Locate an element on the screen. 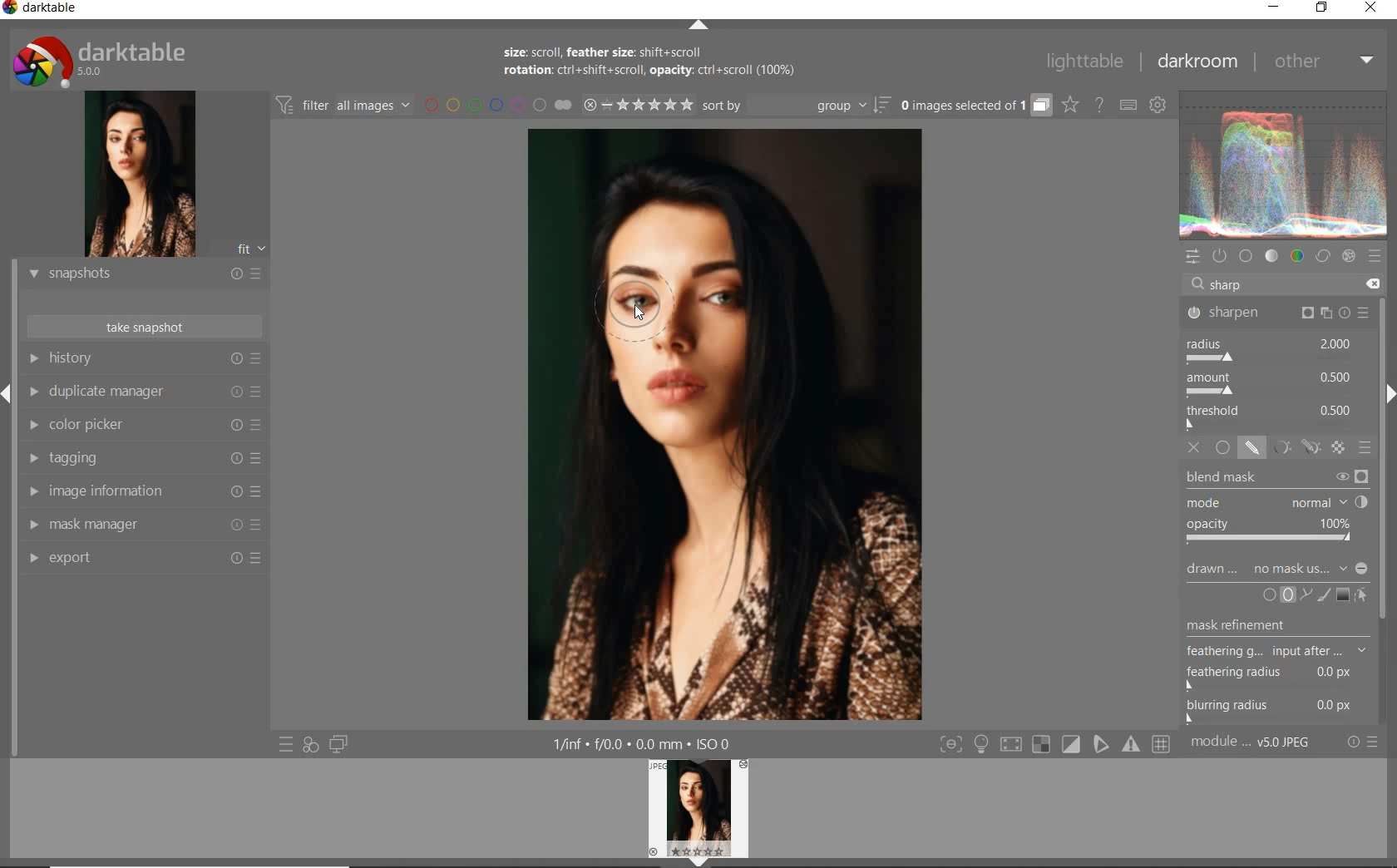 Image resolution: width=1397 pixels, height=868 pixels. expand/collapse is located at coordinates (700, 26).